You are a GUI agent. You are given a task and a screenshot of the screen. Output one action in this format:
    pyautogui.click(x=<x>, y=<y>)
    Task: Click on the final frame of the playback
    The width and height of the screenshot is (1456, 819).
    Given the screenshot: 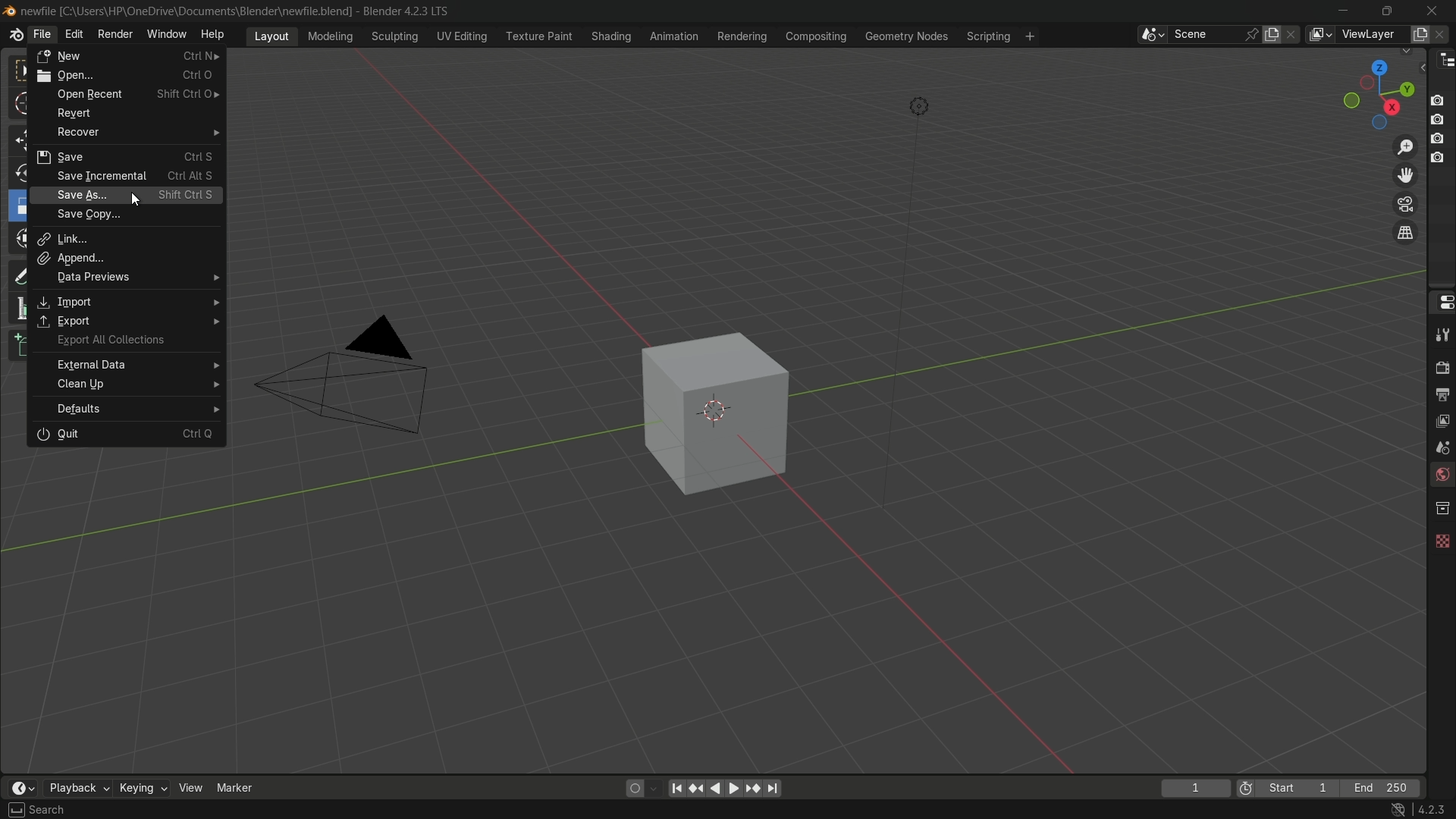 What is the action you would take?
    pyautogui.click(x=1382, y=789)
    